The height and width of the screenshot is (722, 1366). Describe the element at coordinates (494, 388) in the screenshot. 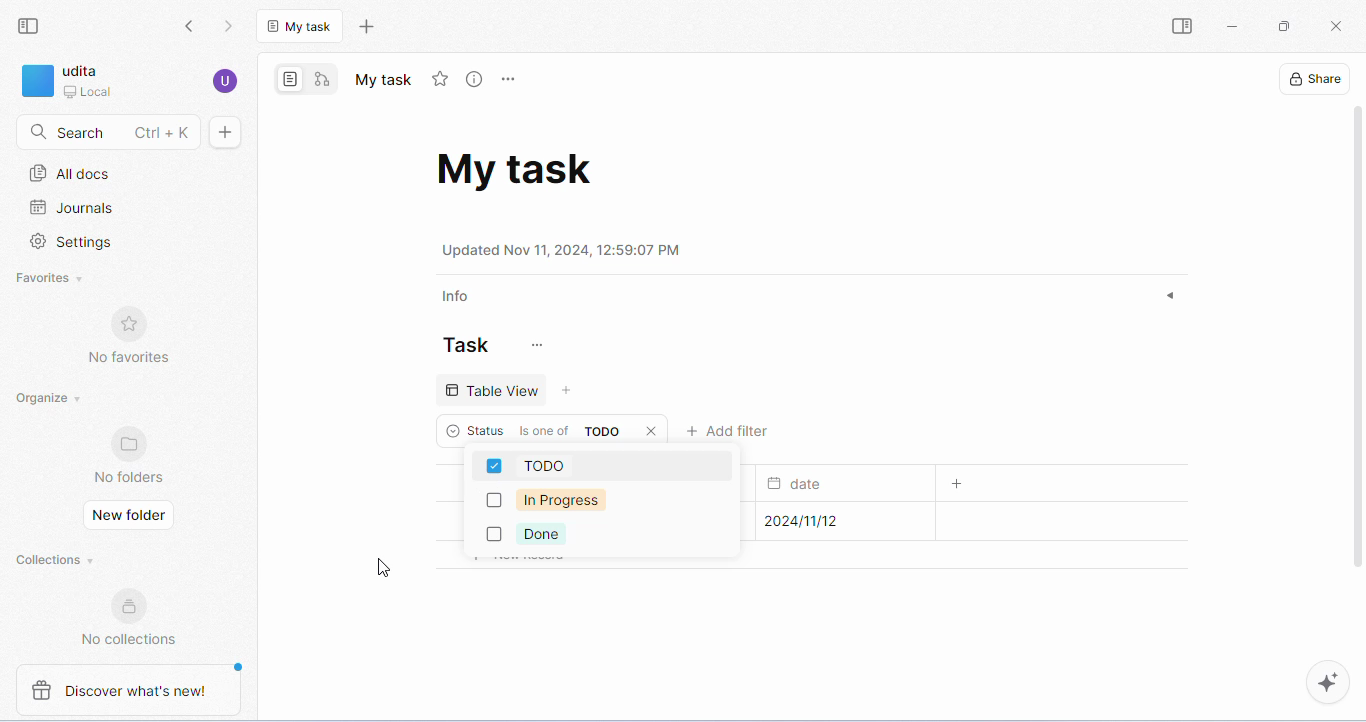

I see `table view` at that location.